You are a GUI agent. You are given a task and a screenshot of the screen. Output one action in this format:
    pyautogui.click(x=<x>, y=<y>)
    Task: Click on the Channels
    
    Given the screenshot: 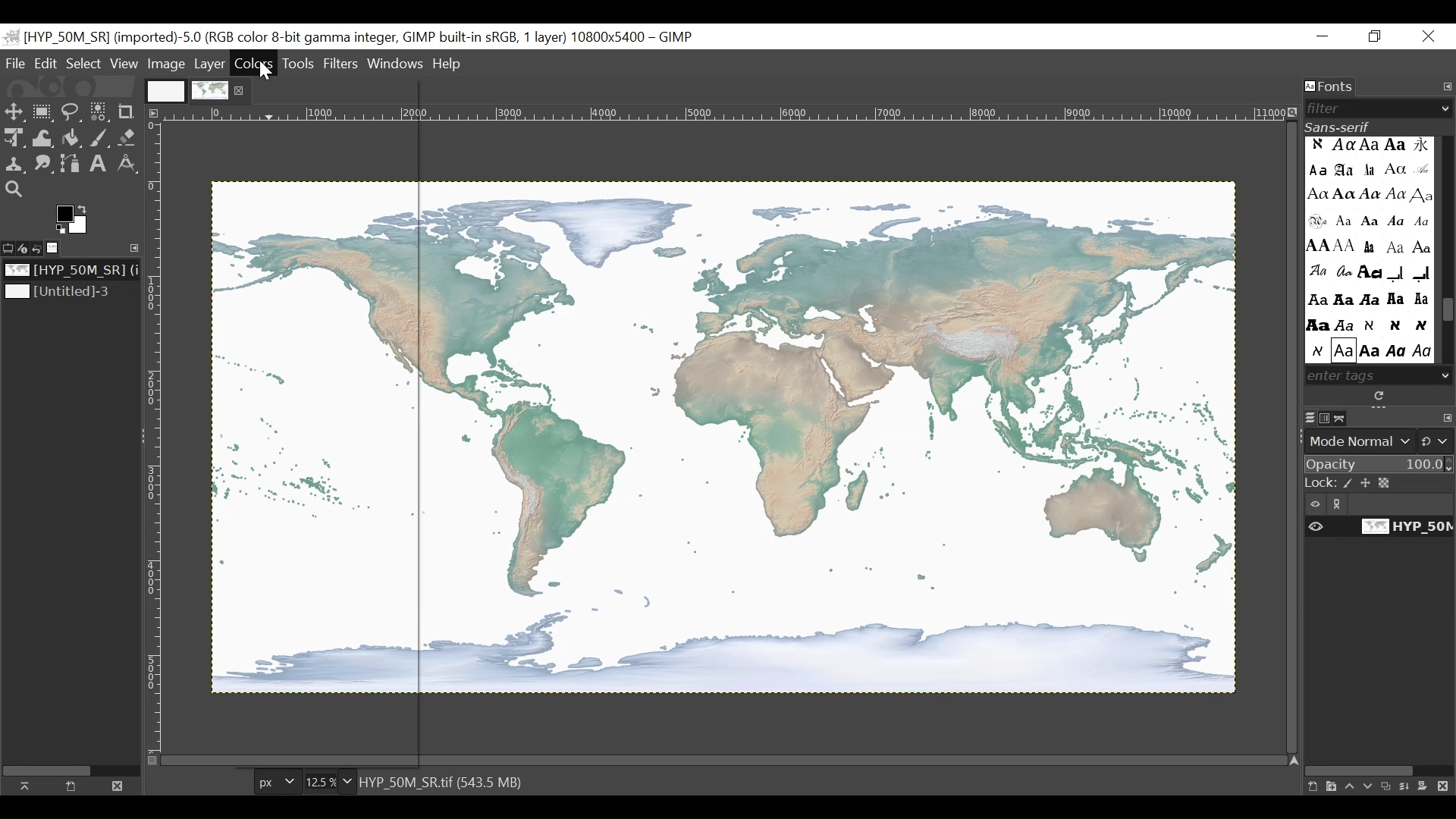 What is the action you would take?
    pyautogui.click(x=1328, y=418)
    